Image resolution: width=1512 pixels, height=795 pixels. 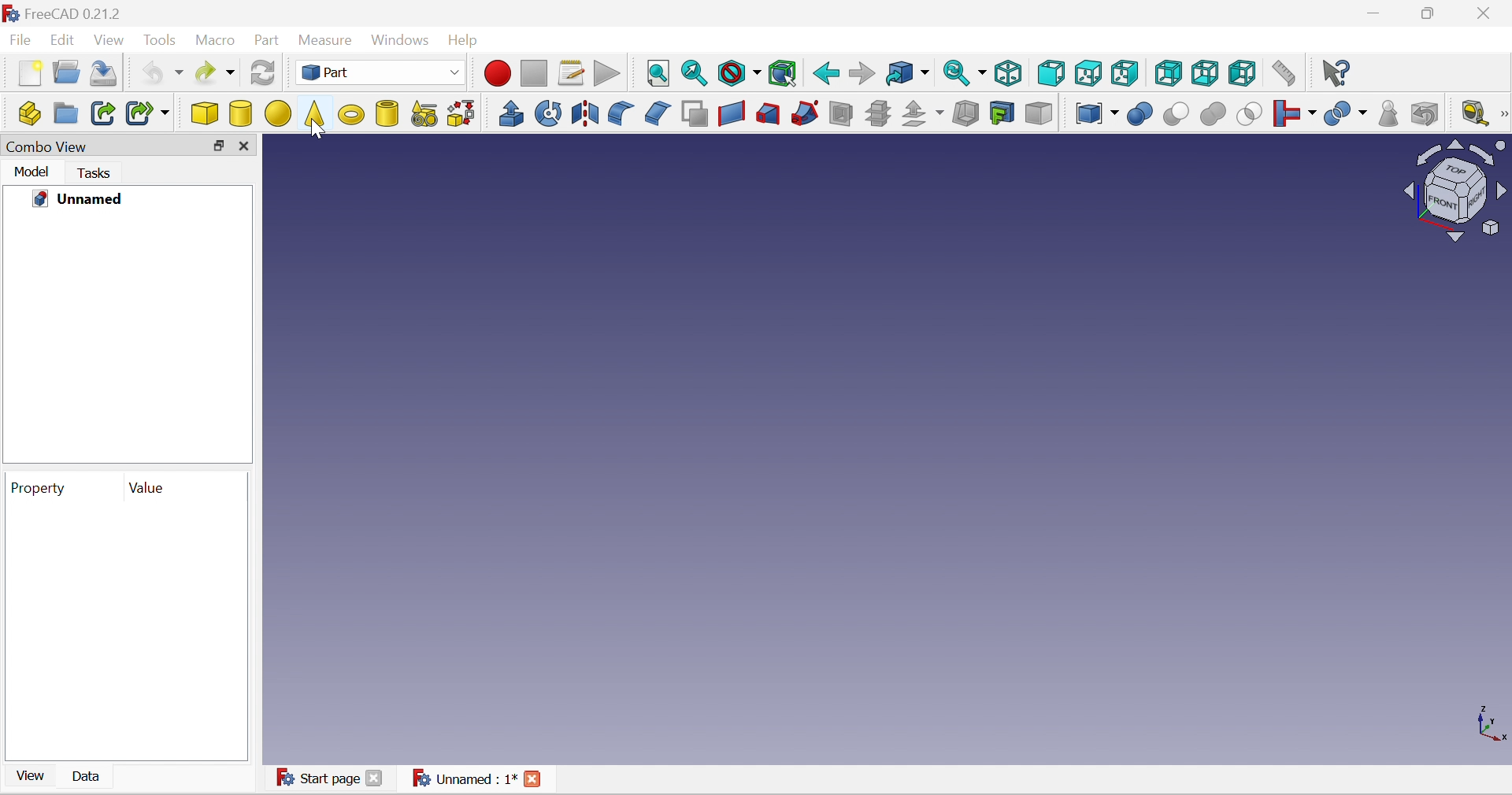 I want to click on x, y axis, so click(x=1492, y=721).